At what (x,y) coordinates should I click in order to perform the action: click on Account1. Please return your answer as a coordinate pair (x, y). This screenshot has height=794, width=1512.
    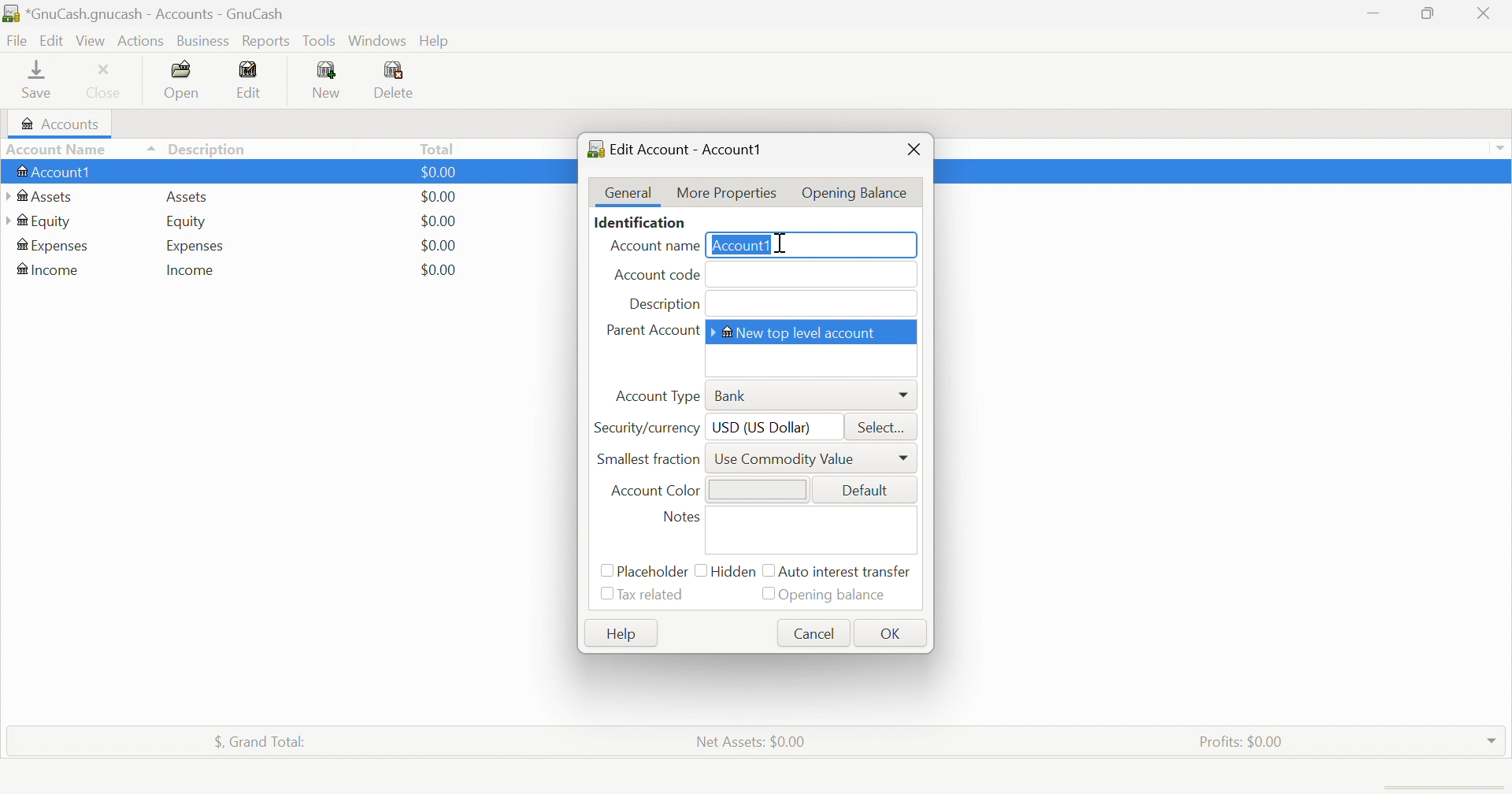
    Looking at the image, I should click on (740, 246).